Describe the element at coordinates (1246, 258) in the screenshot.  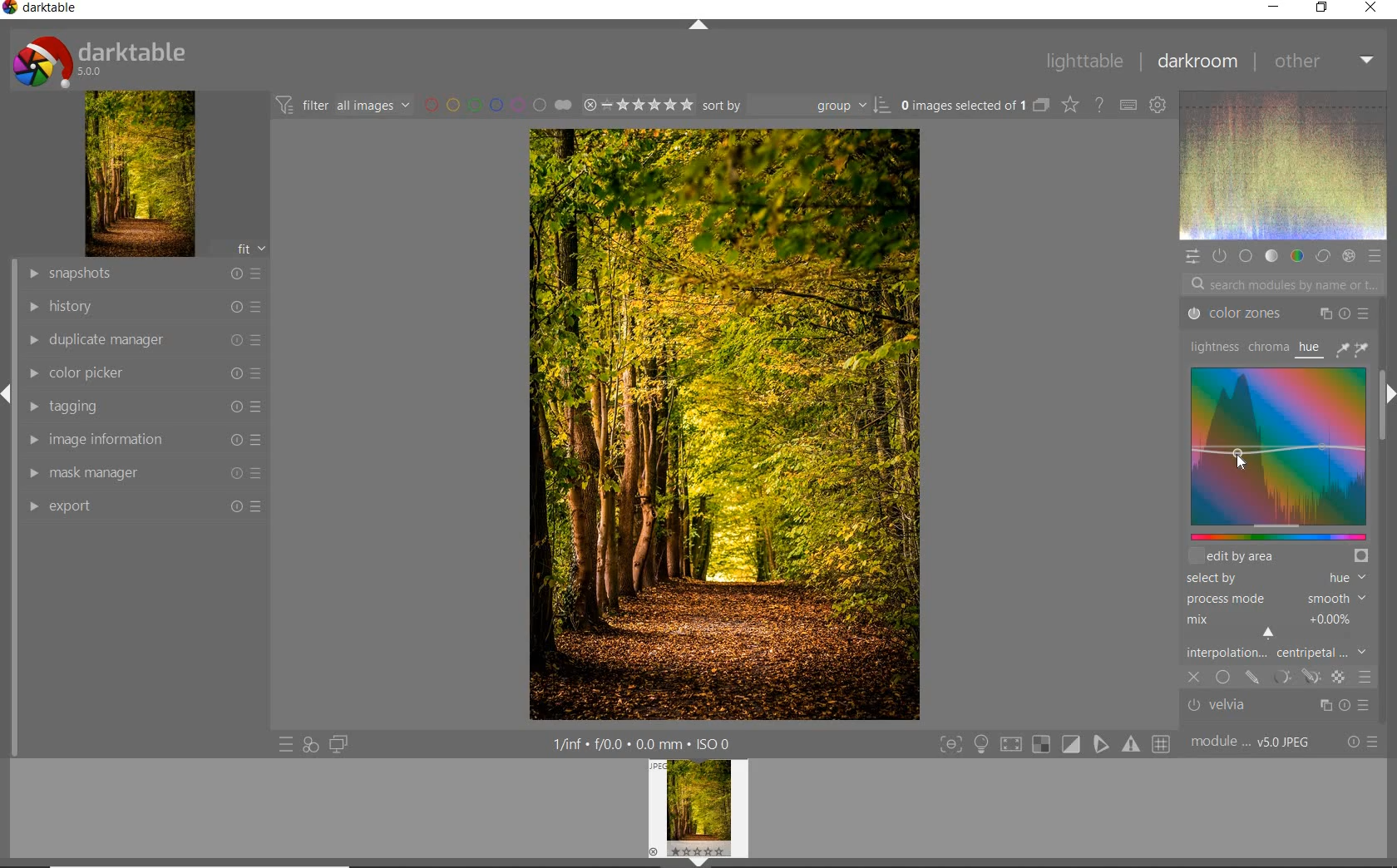
I see `BASE` at that location.